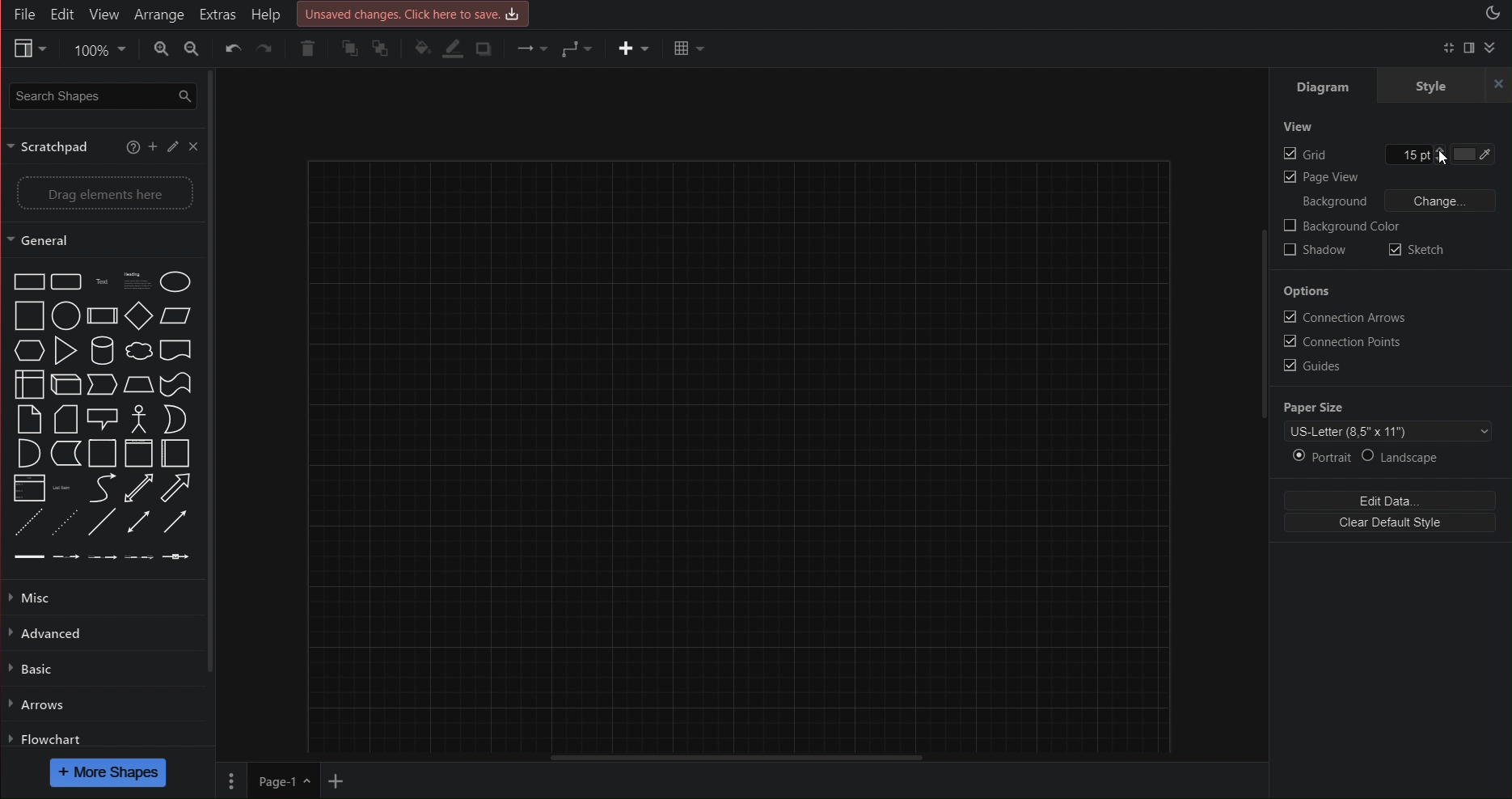  What do you see at coordinates (65, 418) in the screenshot?
I see `` at bounding box center [65, 418].